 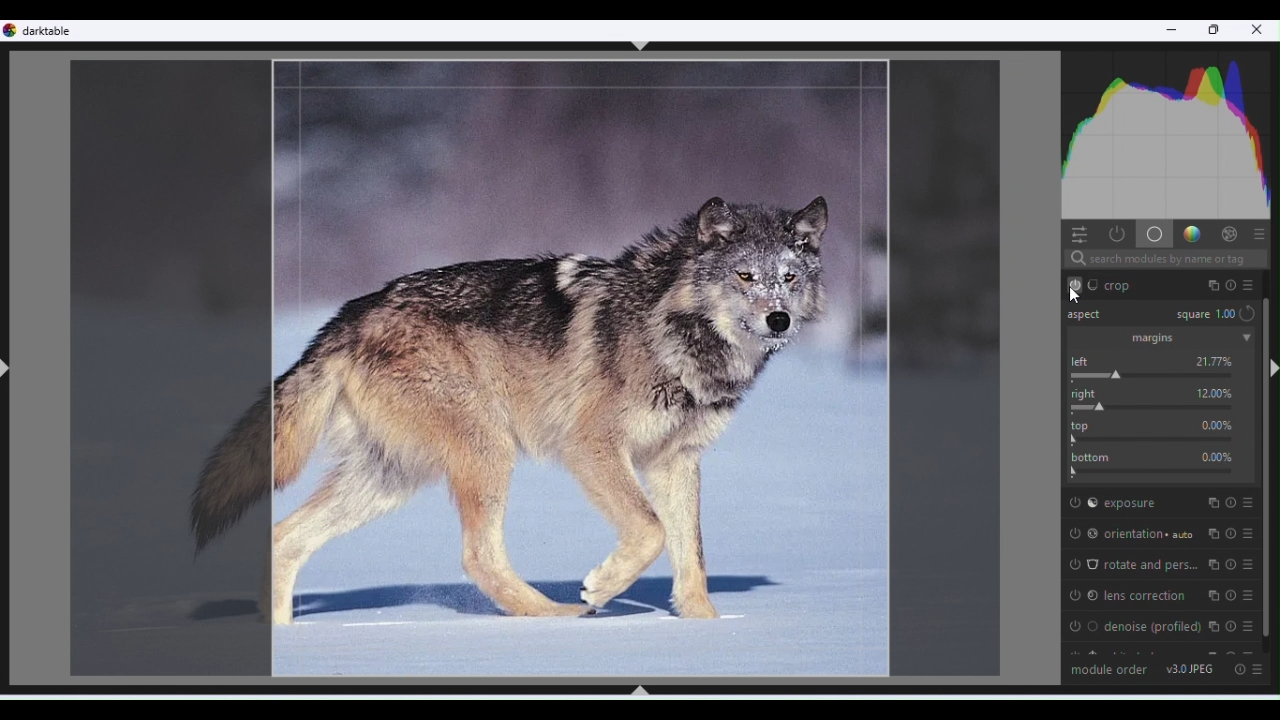 What do you see at coordinates (1260, 233) in the screenshot?
I see `Preset ` at bounding box center [1260, 233].